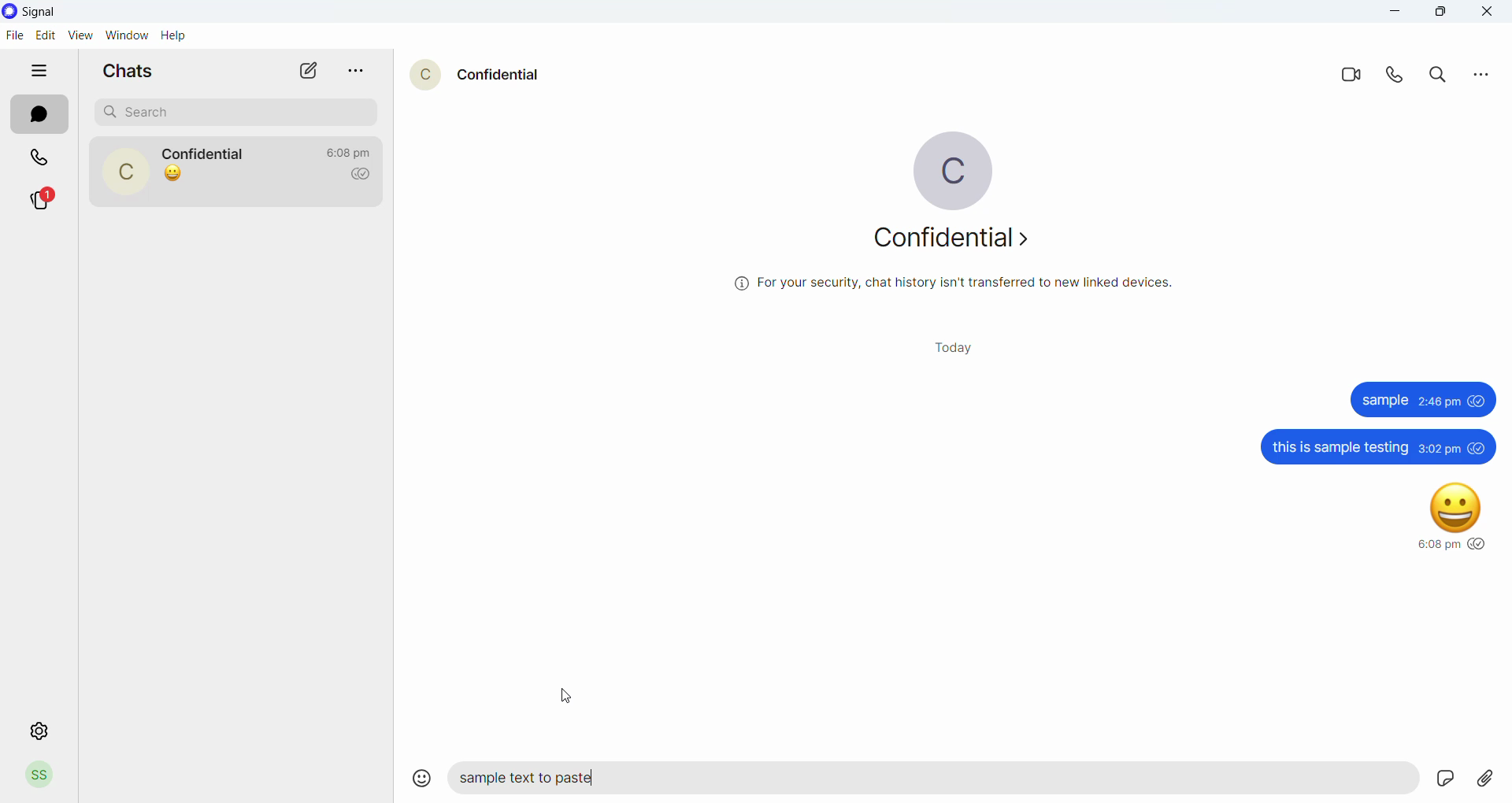 The height and width of the screenshot is (803, 1512). What do you see at coordinates (46, 35) in the screenshot?
I see `edit` at bounding box center [46, 35].